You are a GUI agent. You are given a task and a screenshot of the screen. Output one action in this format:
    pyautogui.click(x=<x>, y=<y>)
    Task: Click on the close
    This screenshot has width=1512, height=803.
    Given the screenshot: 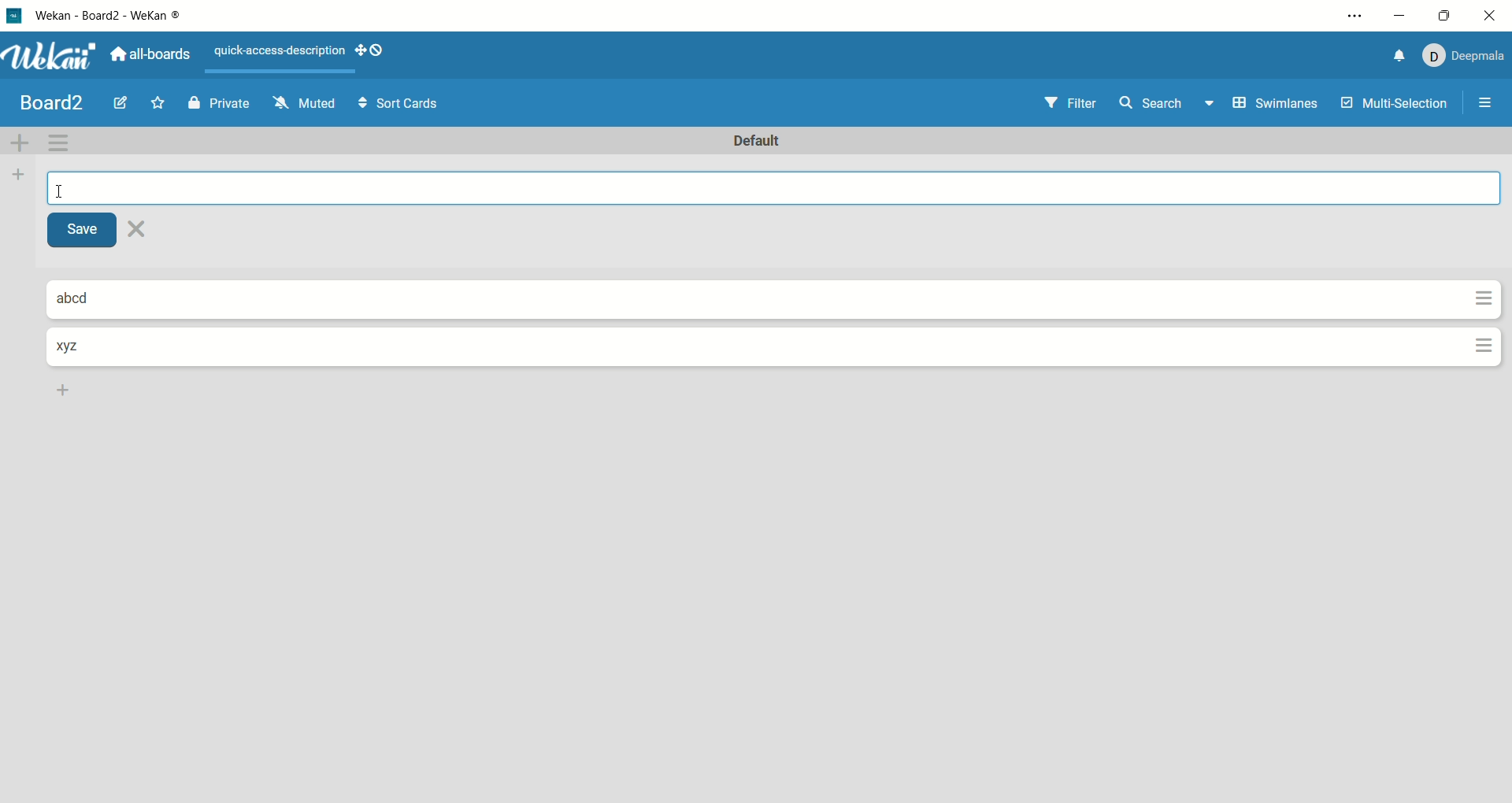 What is the action you would take?
    pyautogui.click(x=1492, y=16)
    